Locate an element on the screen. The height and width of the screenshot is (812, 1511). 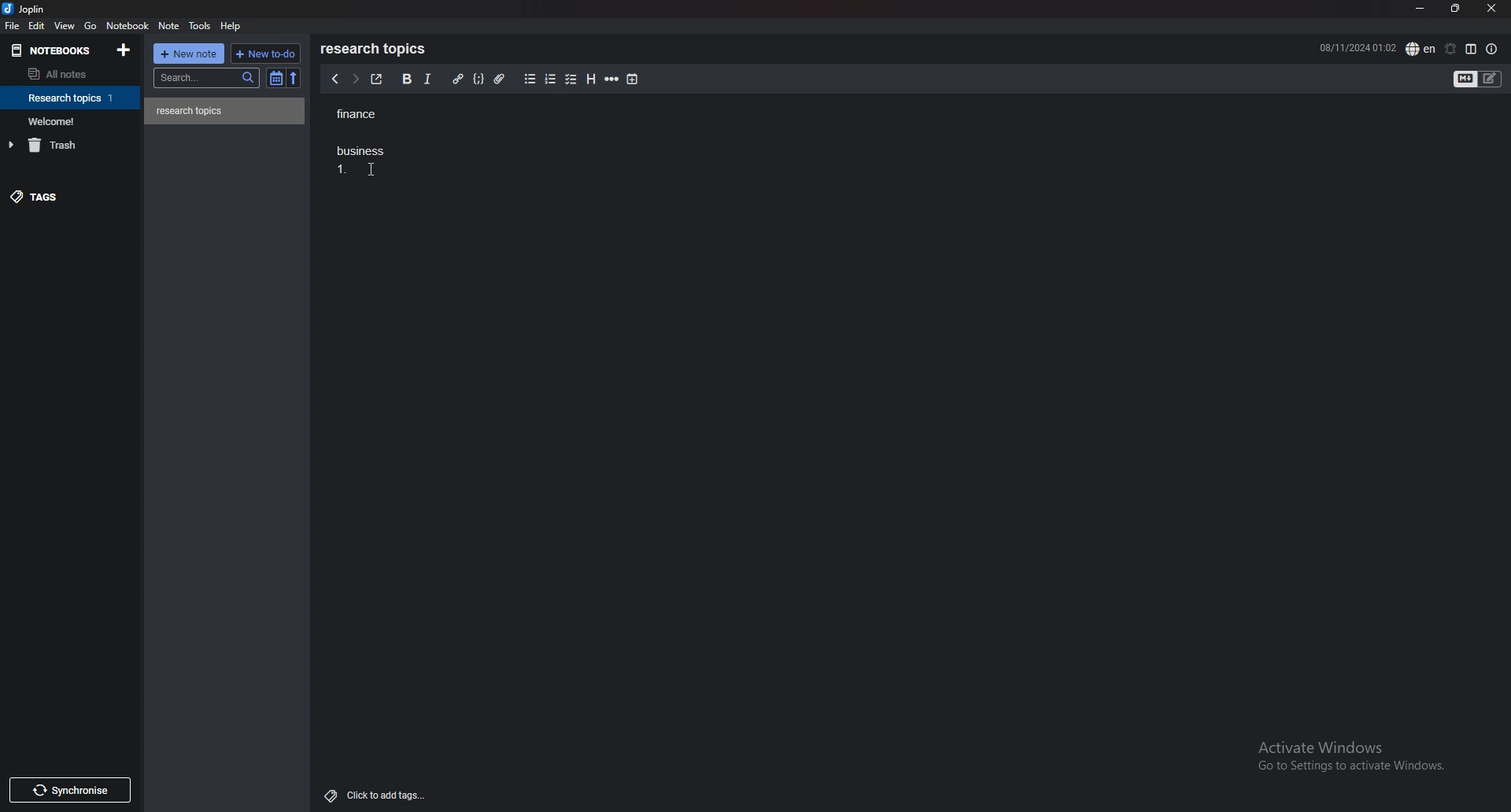
toggle external editor is located at coordinates (375, 79).